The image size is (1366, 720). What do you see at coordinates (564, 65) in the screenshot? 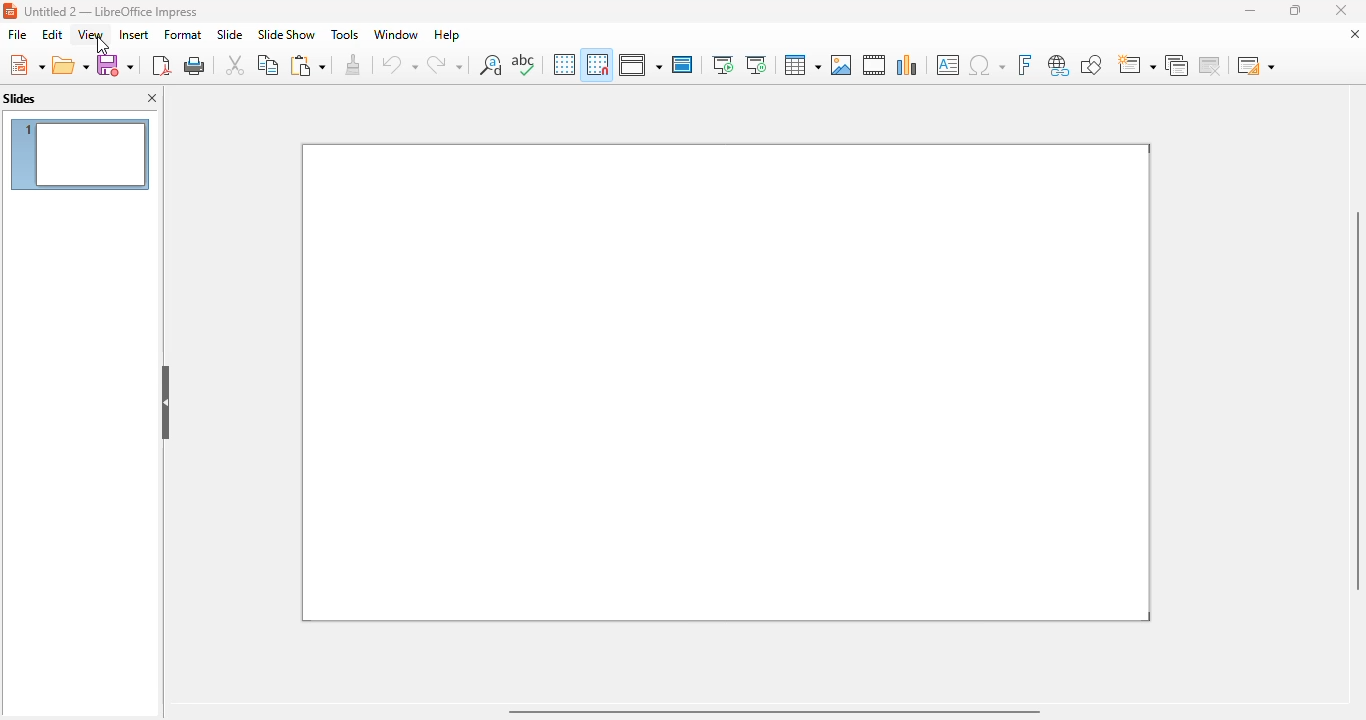
I see `display grid` at bounding box center [564, 65].